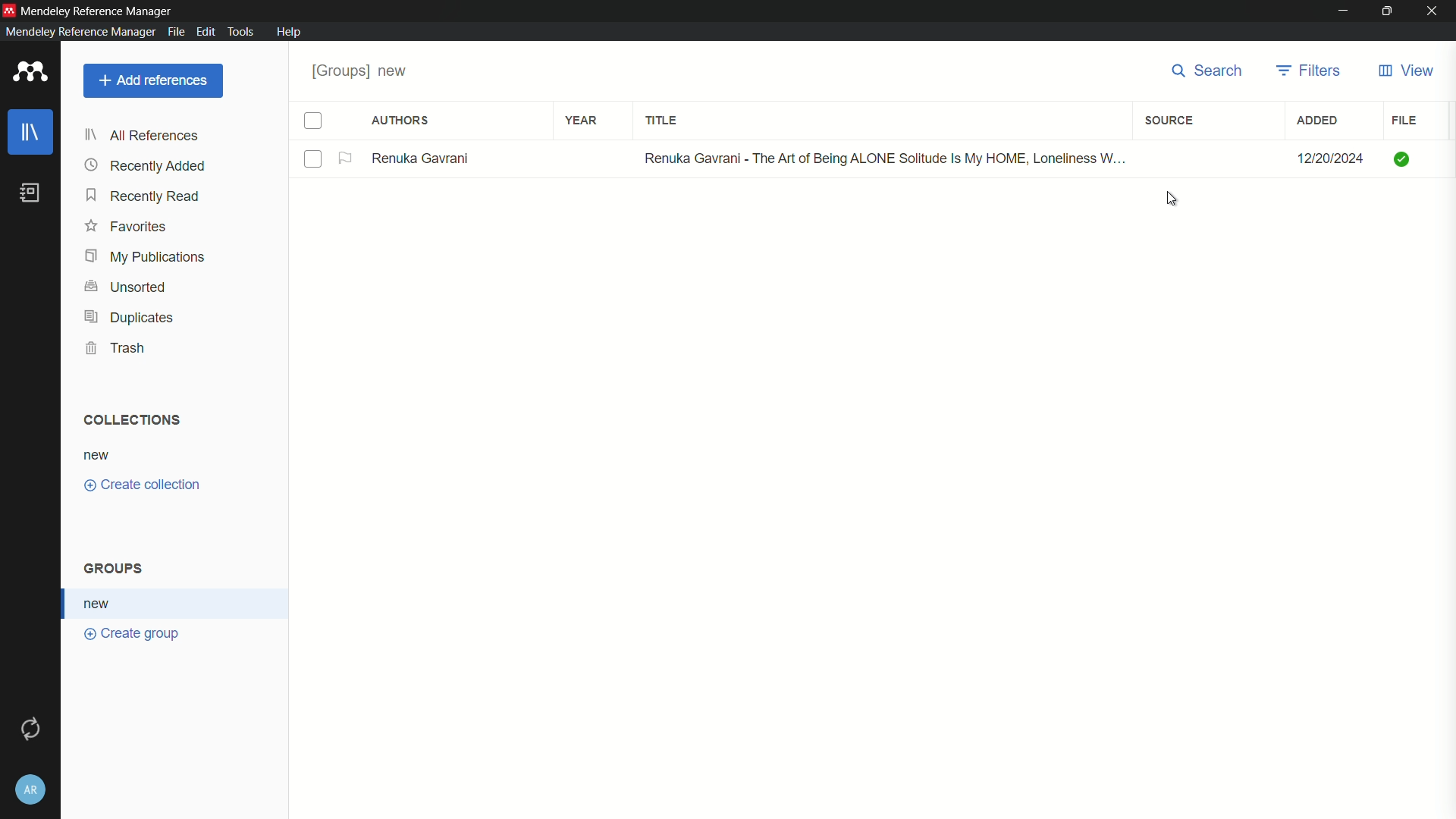  What do you see at coordinates (141, 137) in the screenshot?
I see `all references` at bounding box center [141, 137].